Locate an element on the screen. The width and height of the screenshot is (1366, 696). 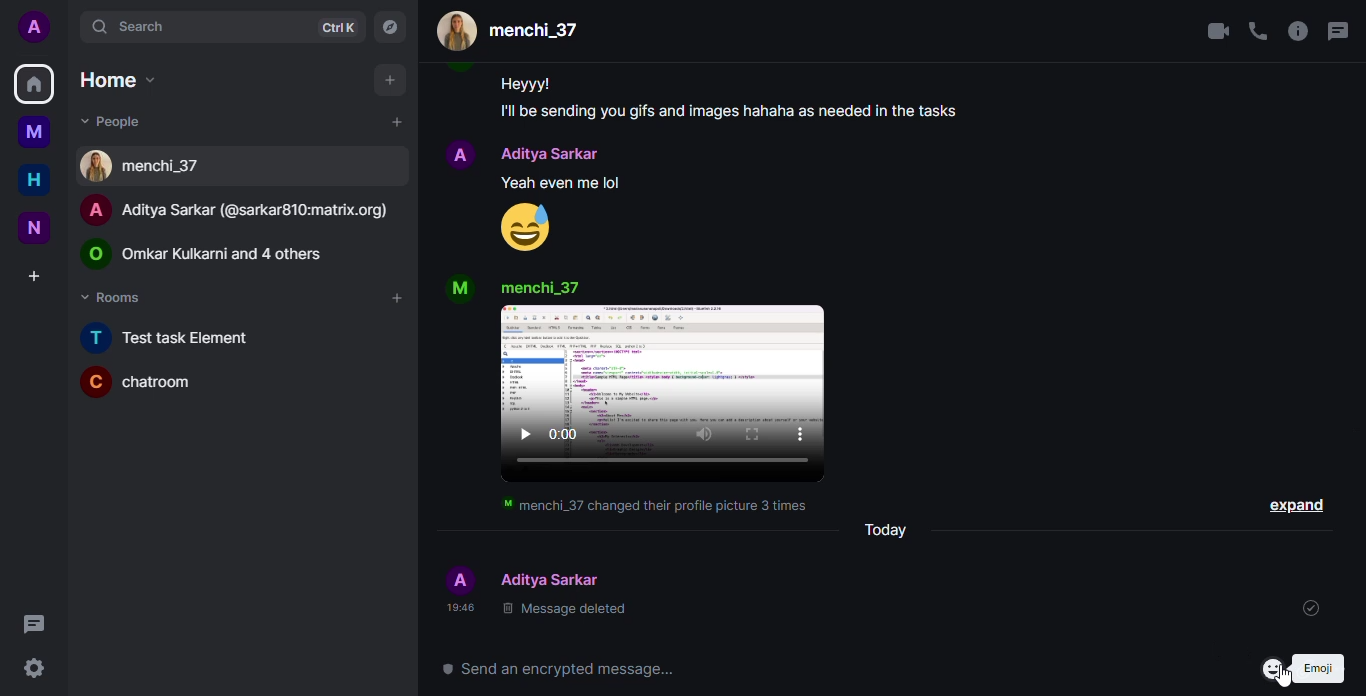
rooms is located at coordinates (115, 297).